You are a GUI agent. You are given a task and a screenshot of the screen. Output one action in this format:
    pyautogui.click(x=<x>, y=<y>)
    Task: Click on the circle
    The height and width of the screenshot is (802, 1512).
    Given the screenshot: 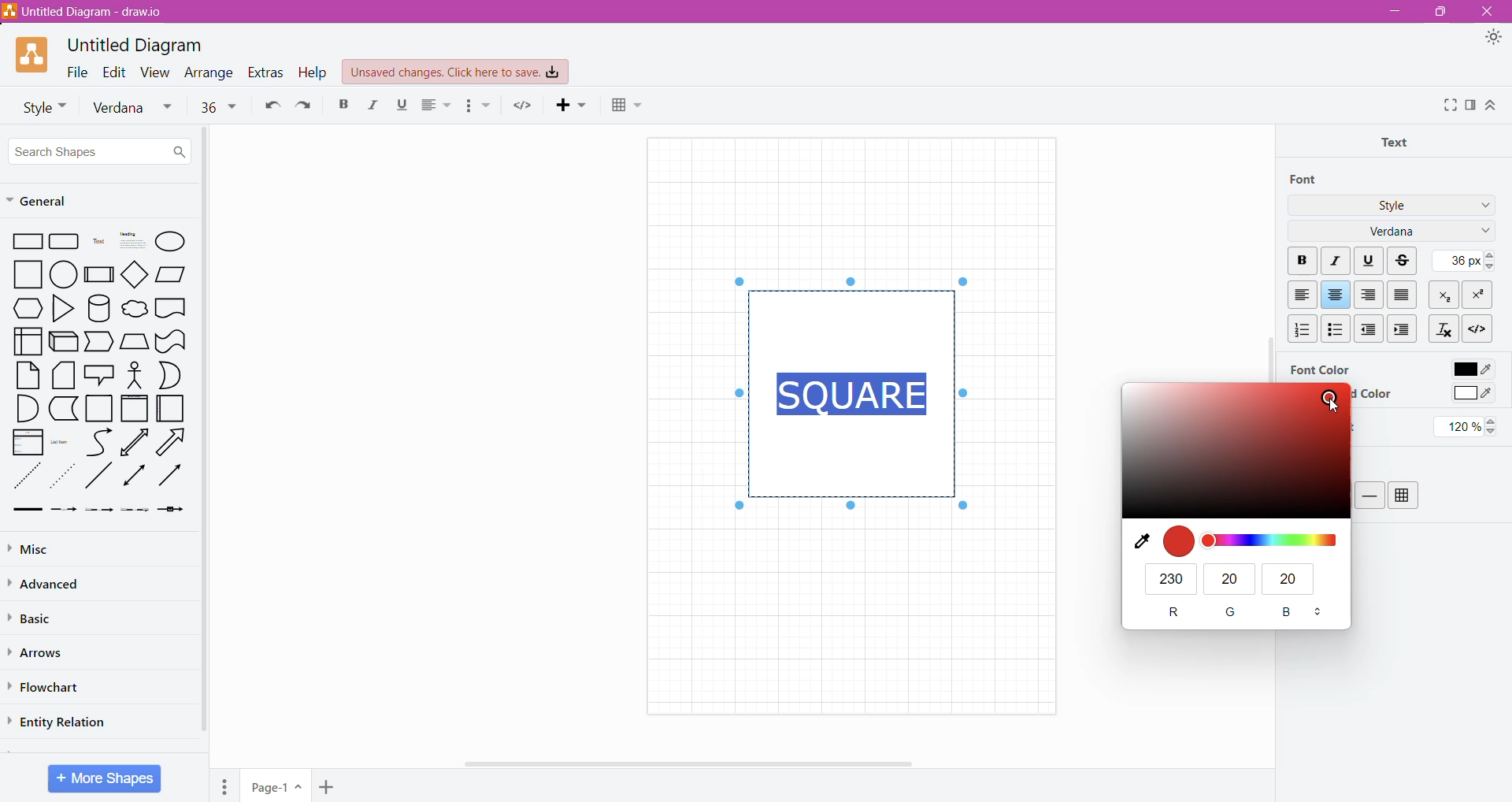 What is the action you would take?
    pyautogui.click(x=64, y=273)
    